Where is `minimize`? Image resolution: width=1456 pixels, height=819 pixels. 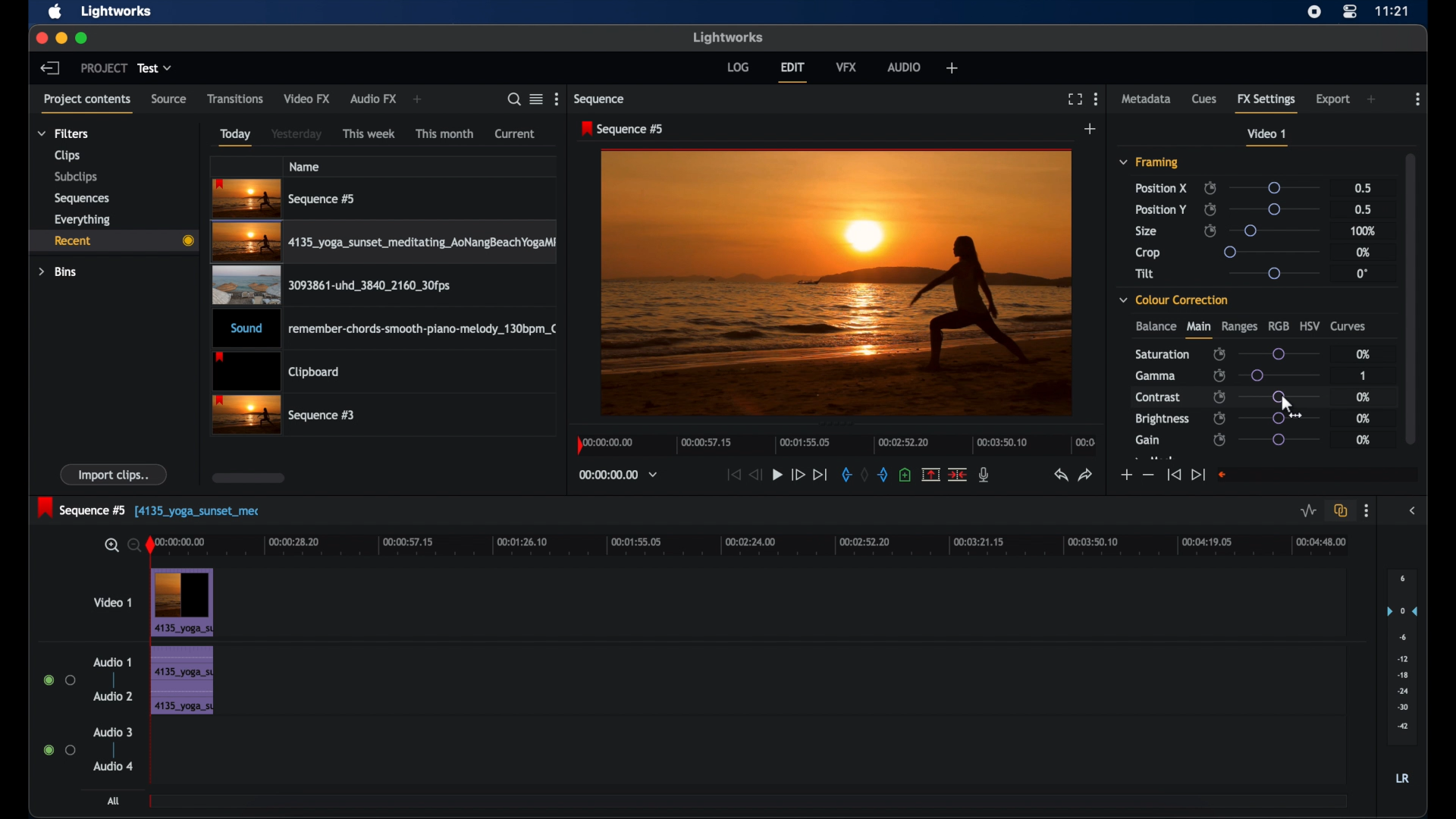 minimize is located at coordinates (63, 38).